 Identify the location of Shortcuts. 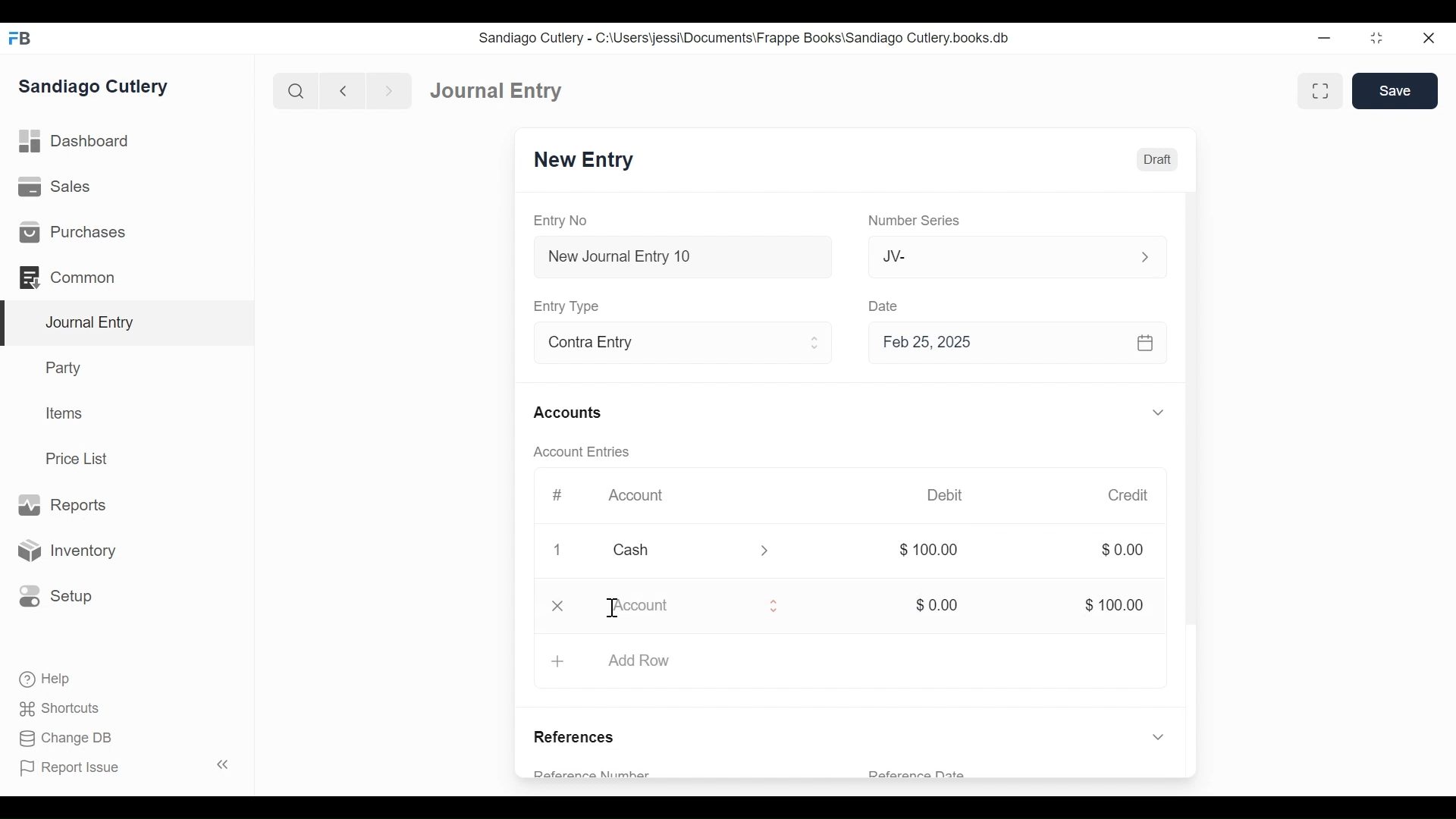
(55, 708).